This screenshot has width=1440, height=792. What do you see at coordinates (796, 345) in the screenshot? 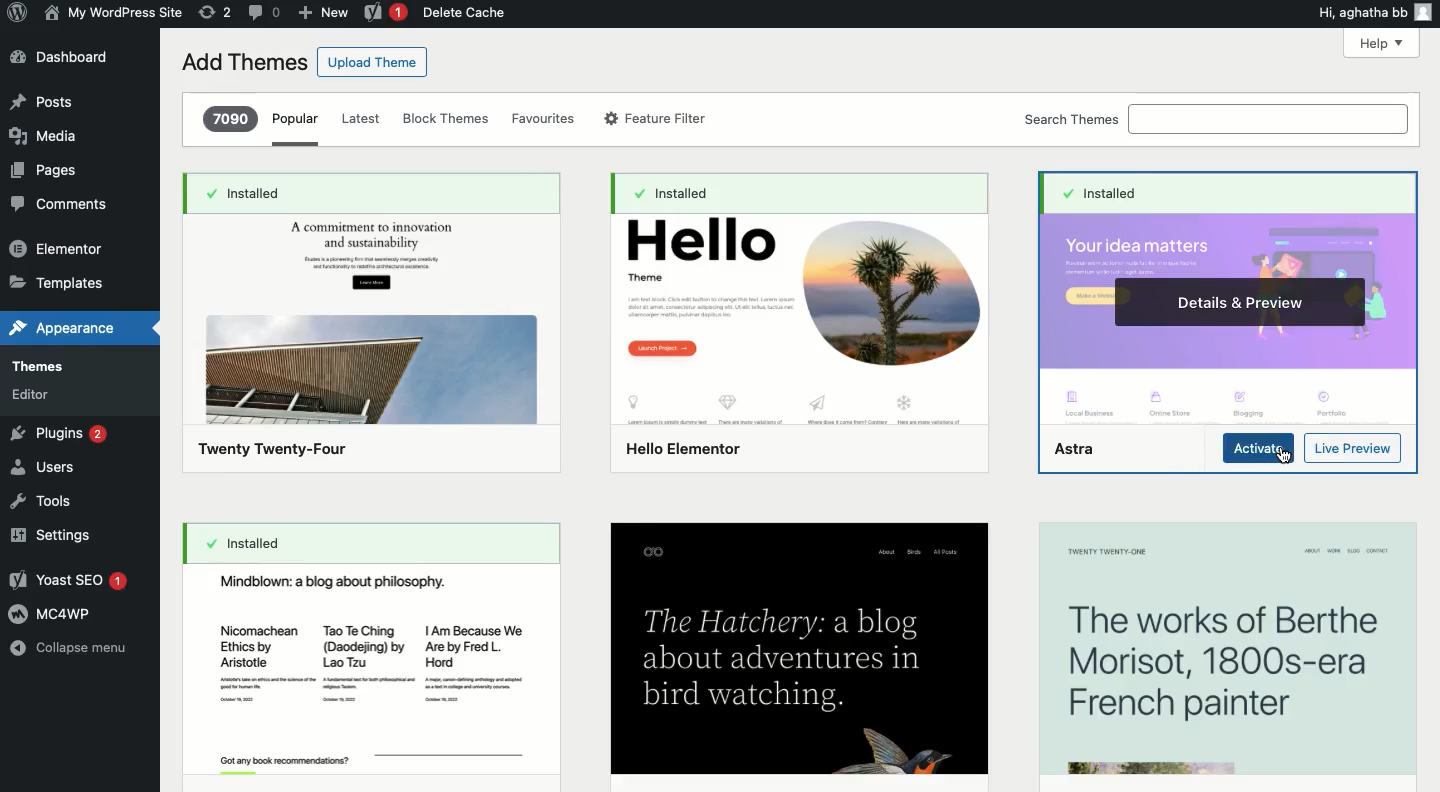
I see `Hello elementor Theme` at bounding box center [796, 345].